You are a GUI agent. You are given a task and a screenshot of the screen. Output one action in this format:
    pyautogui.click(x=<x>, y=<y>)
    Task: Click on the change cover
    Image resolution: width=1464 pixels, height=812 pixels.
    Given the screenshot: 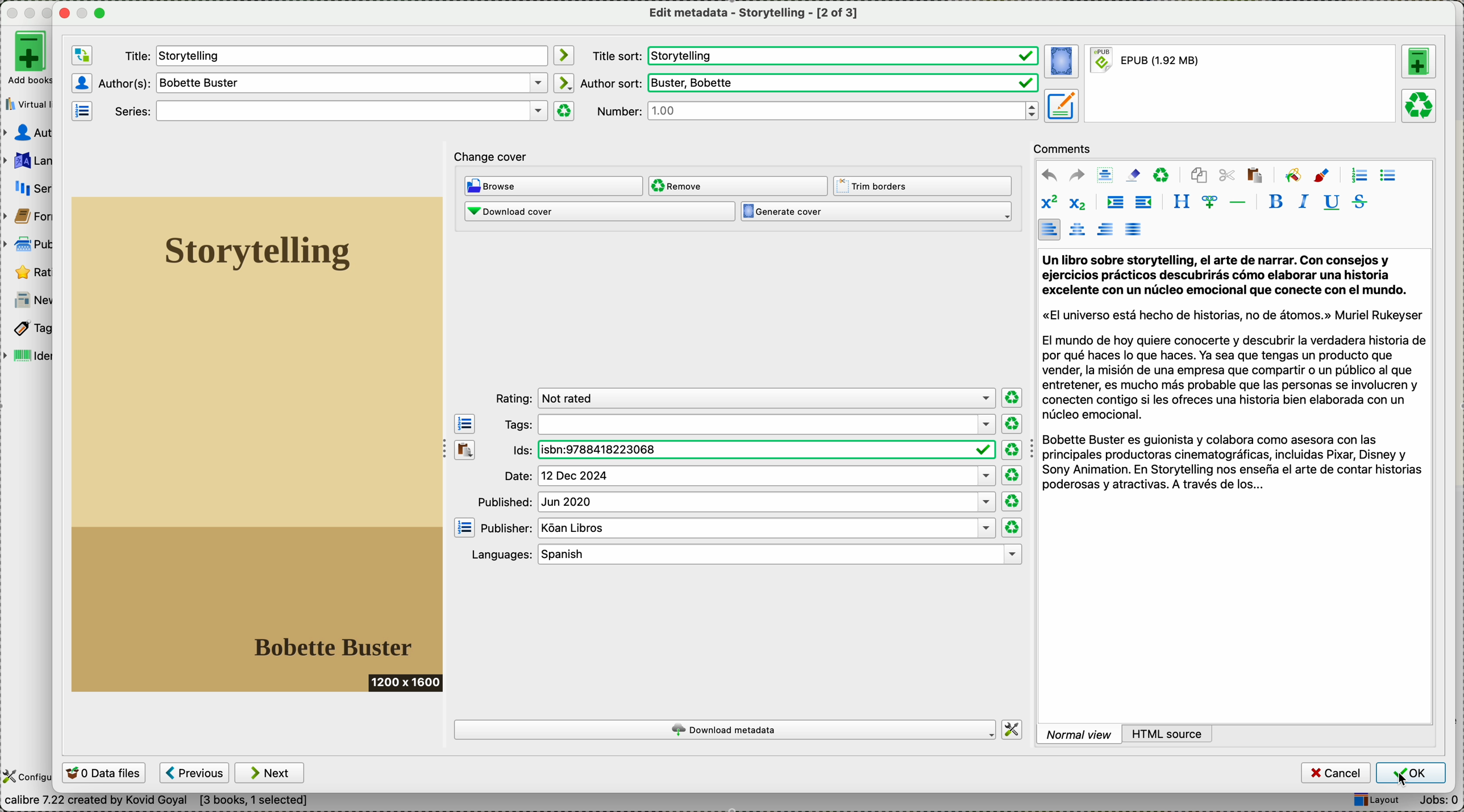 What is the action you would take?
    pyautogui.click(x=498, y=156)
    